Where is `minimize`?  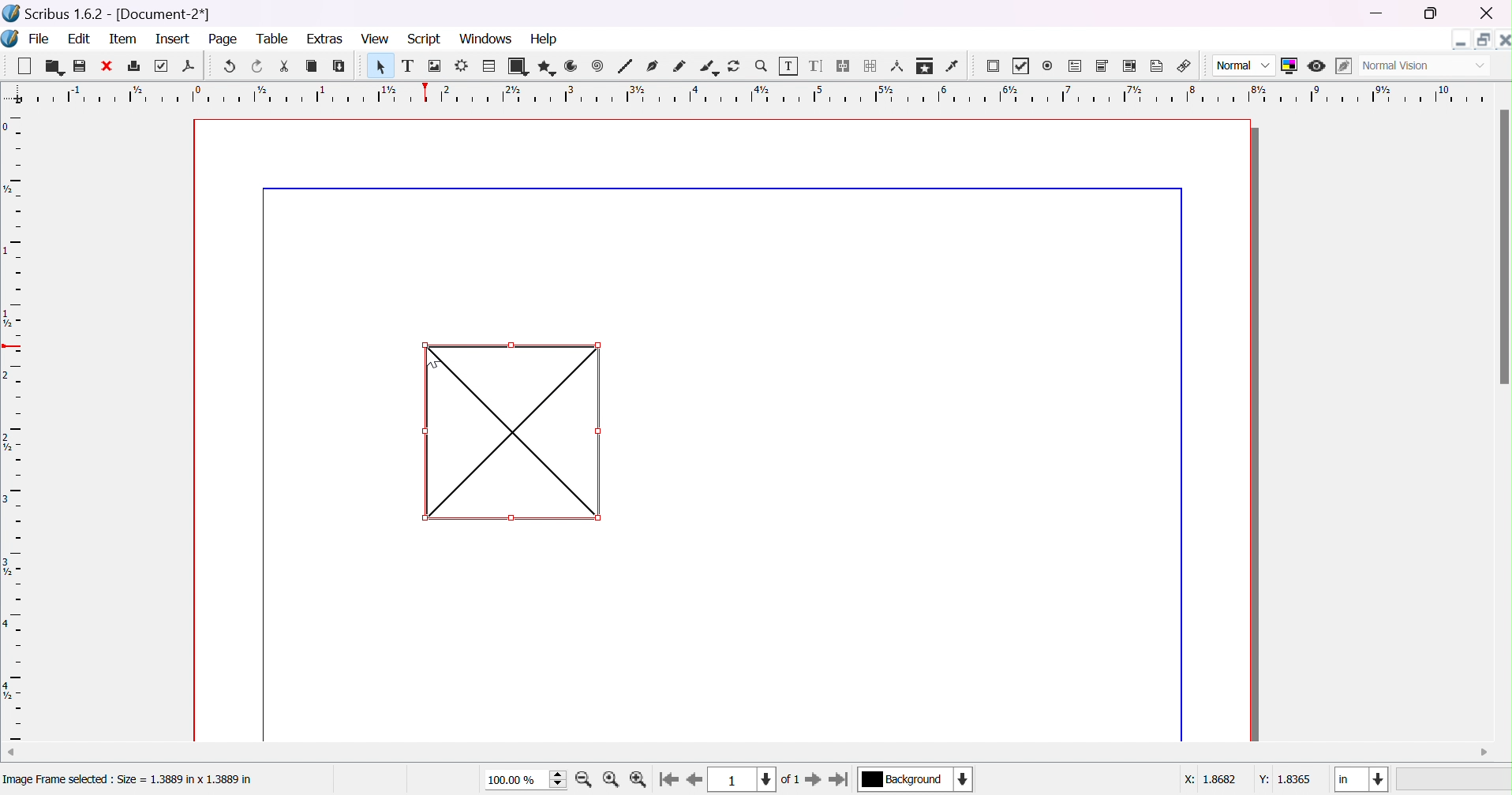
minimize is located at coordinates (1380, 14).